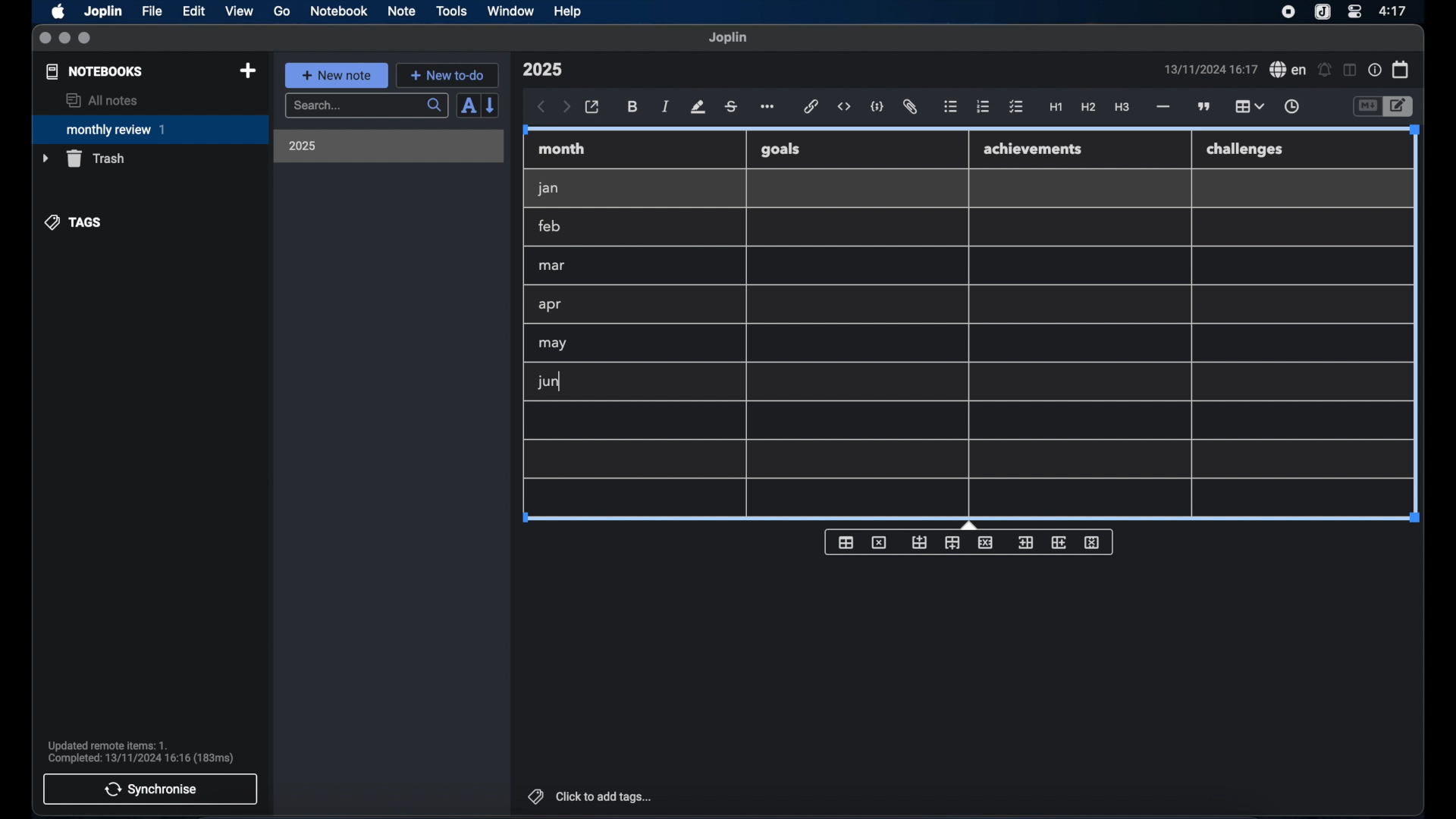 This screenshot has width=1456, height=819. What do you see at coordinates (780, 149) in the screenshot?
I see `goals` at bounding box center [780, 149].